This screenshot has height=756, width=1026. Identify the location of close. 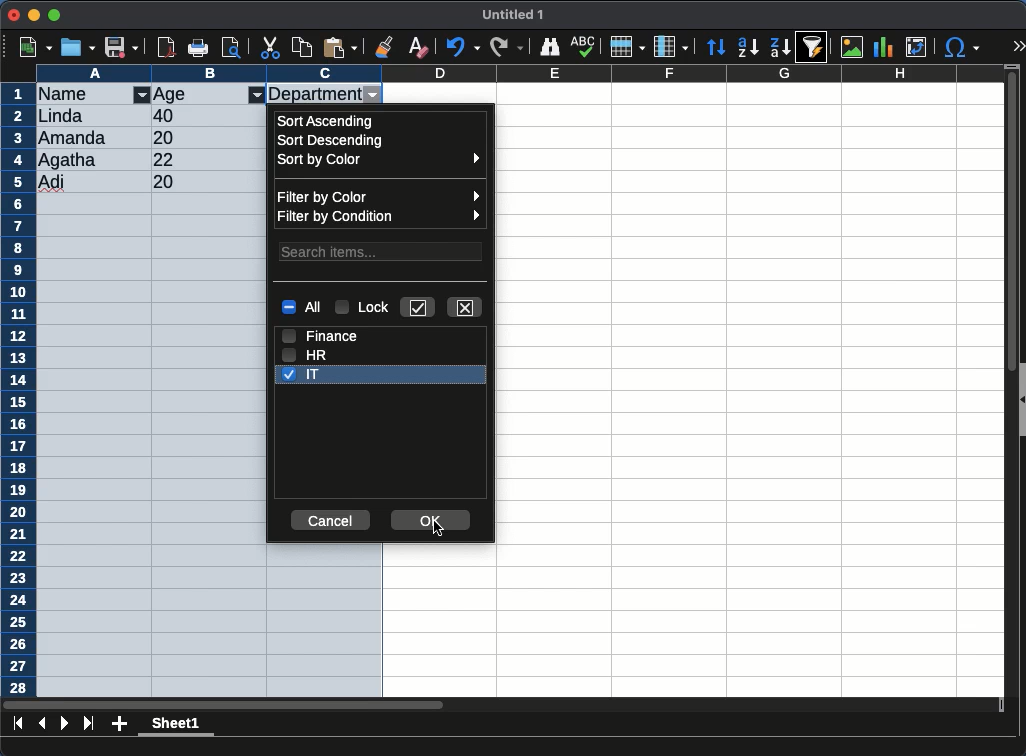
(14, 16).